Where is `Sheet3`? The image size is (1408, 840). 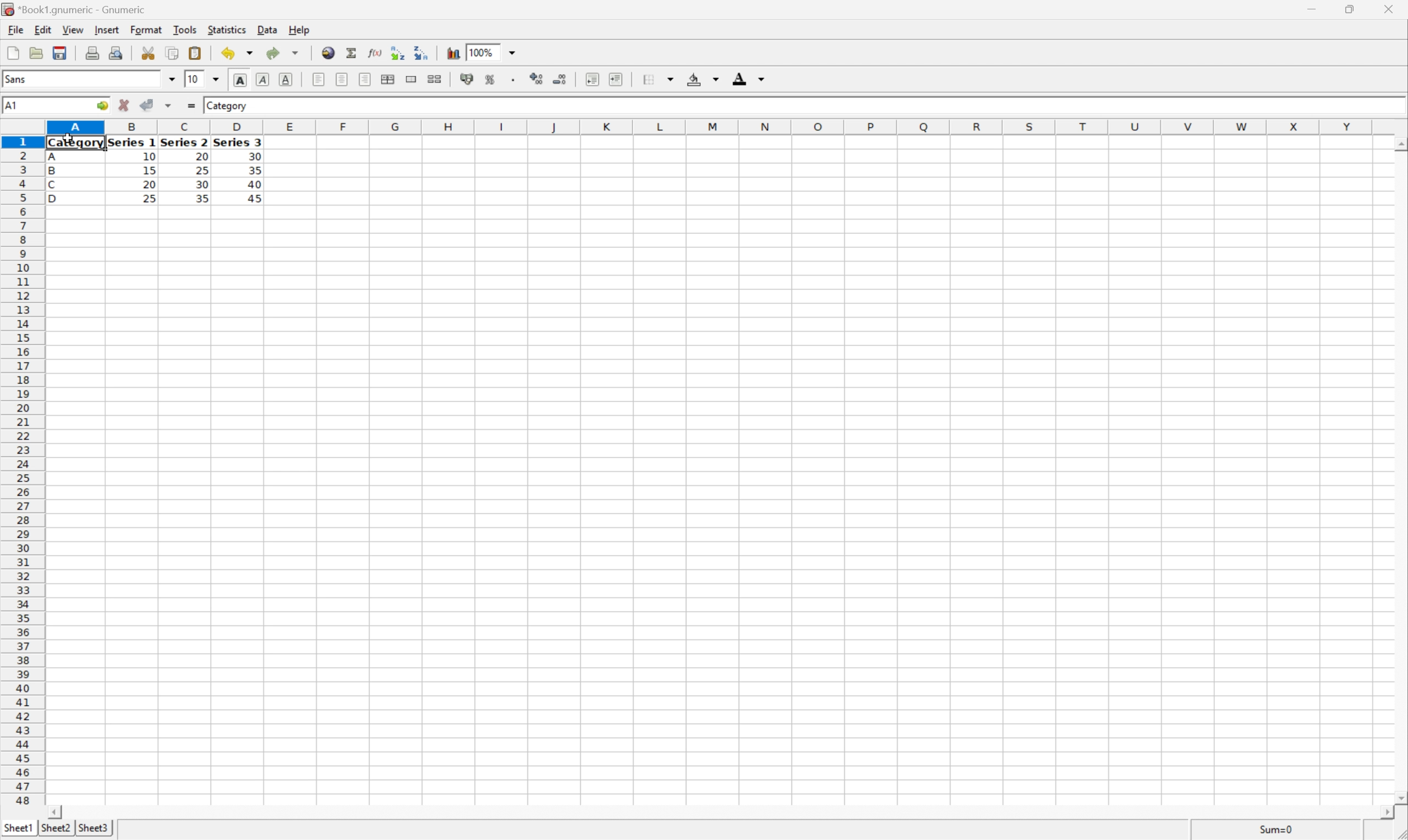
Sheet3 is located at coordinates (95, 828).